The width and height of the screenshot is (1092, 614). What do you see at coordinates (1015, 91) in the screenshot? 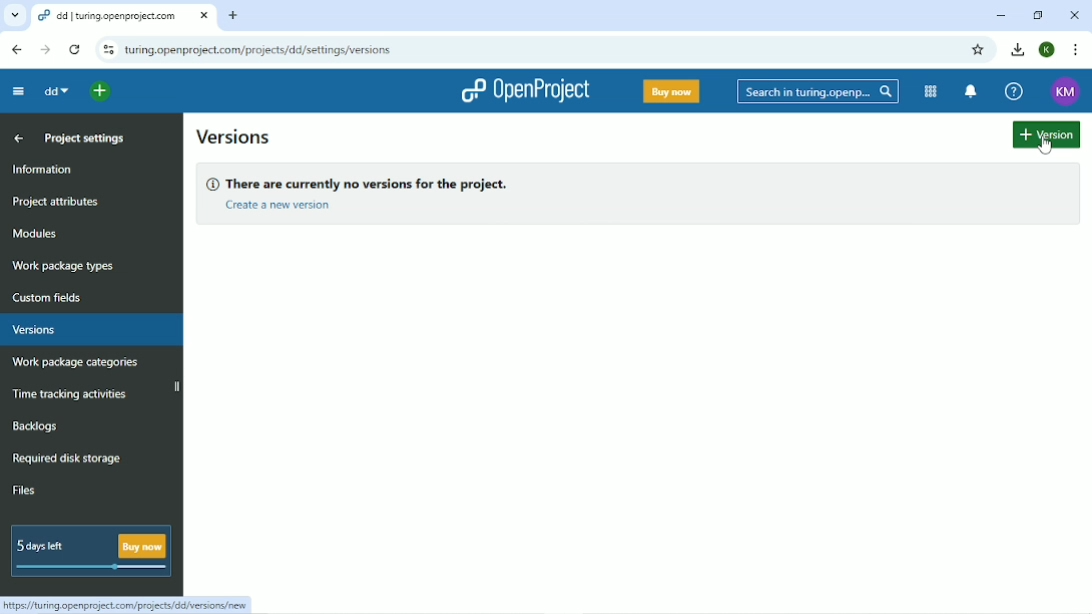
I see `Help` at bounding box center [1015, 91].